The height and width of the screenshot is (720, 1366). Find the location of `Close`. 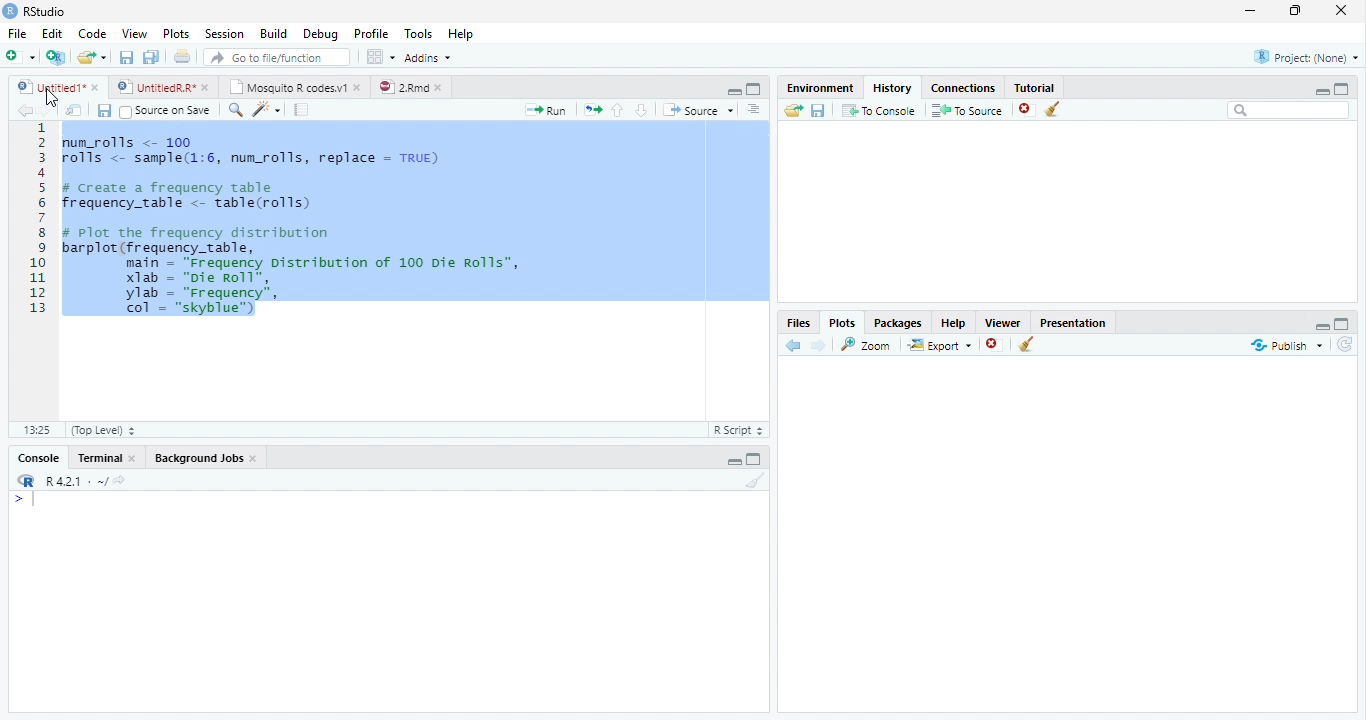

Close is located at coordinates (1343, 11).